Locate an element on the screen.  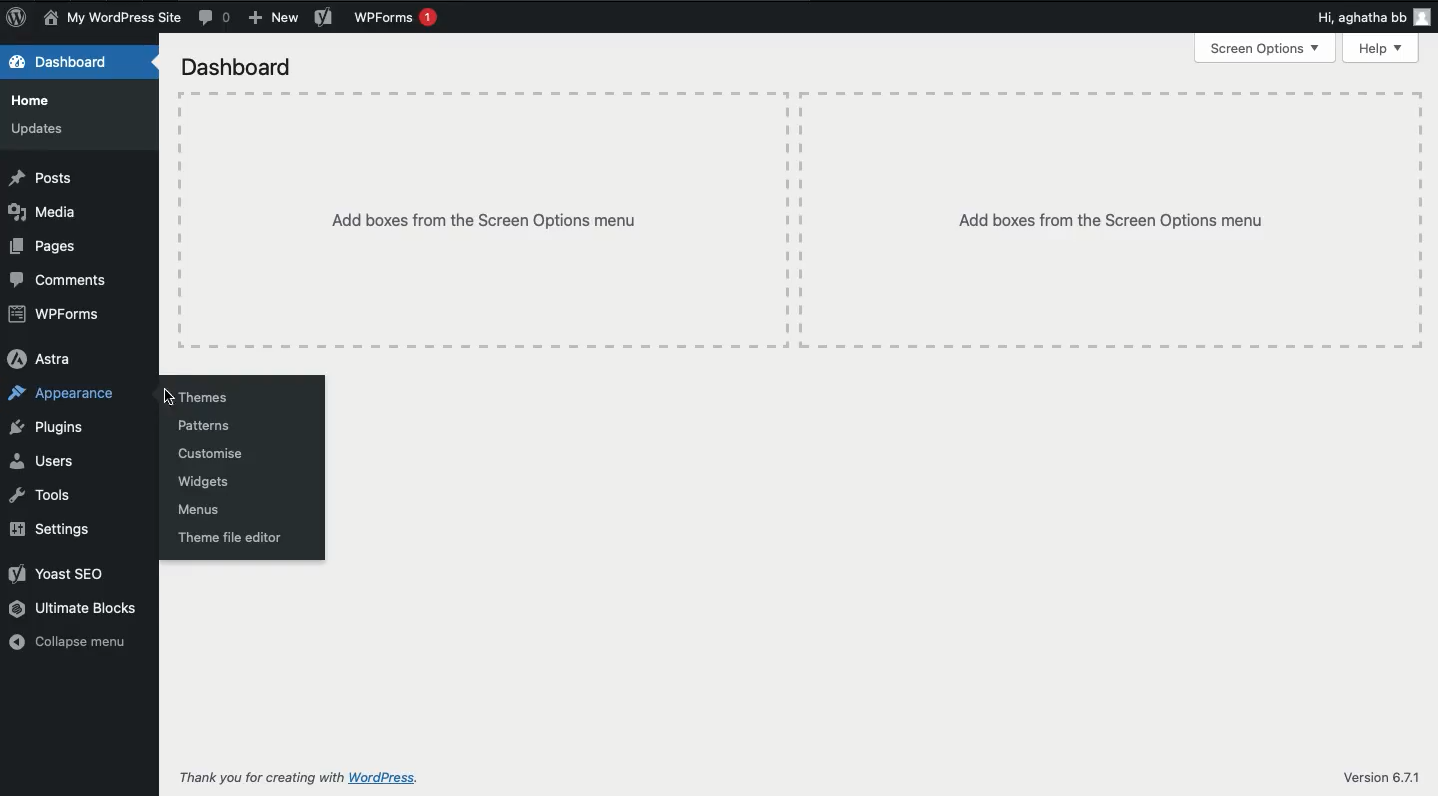
New is located at coordinates (271, 18).